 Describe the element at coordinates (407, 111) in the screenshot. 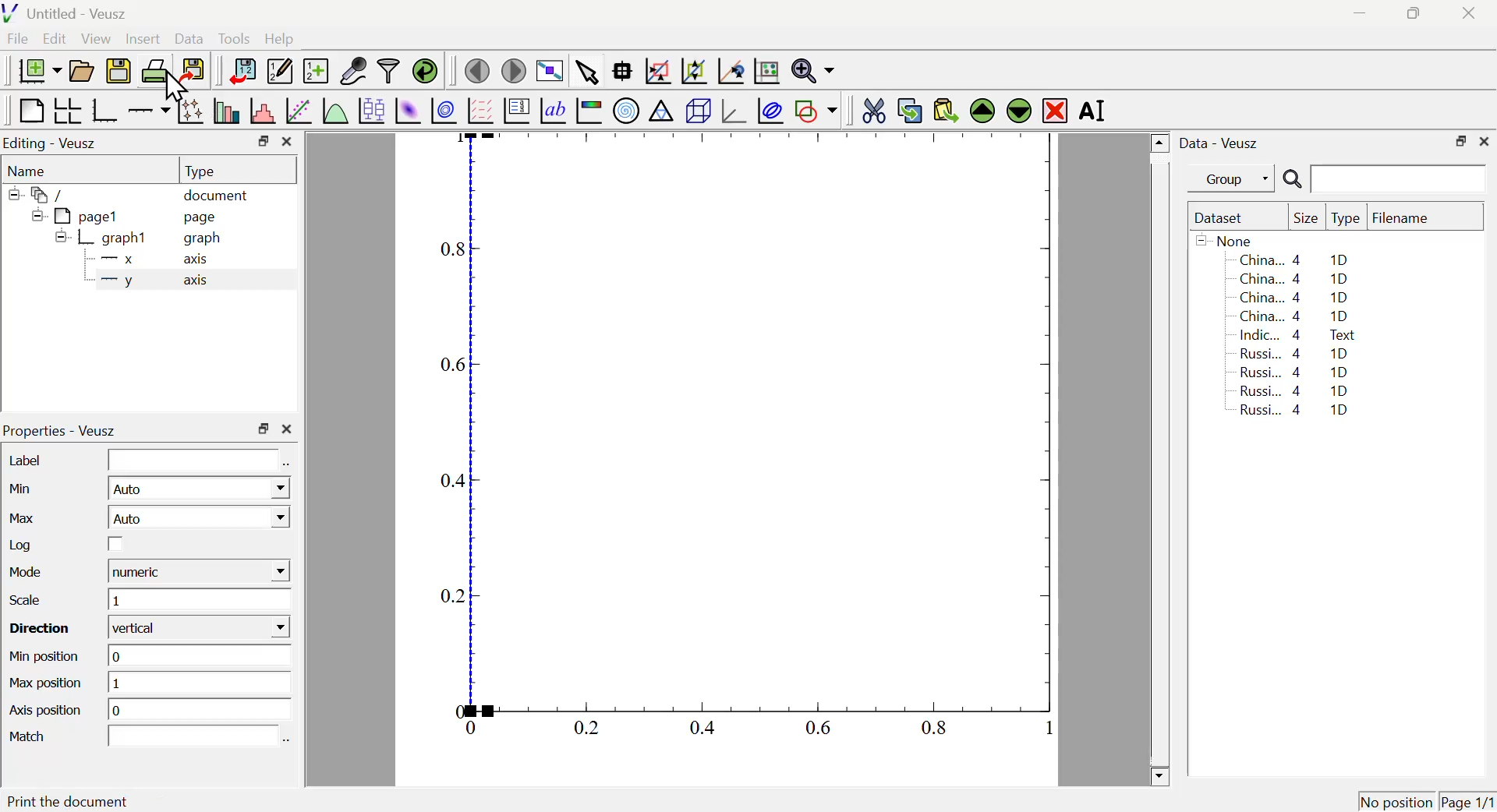

I see `Plot 2D set as image` at that location.